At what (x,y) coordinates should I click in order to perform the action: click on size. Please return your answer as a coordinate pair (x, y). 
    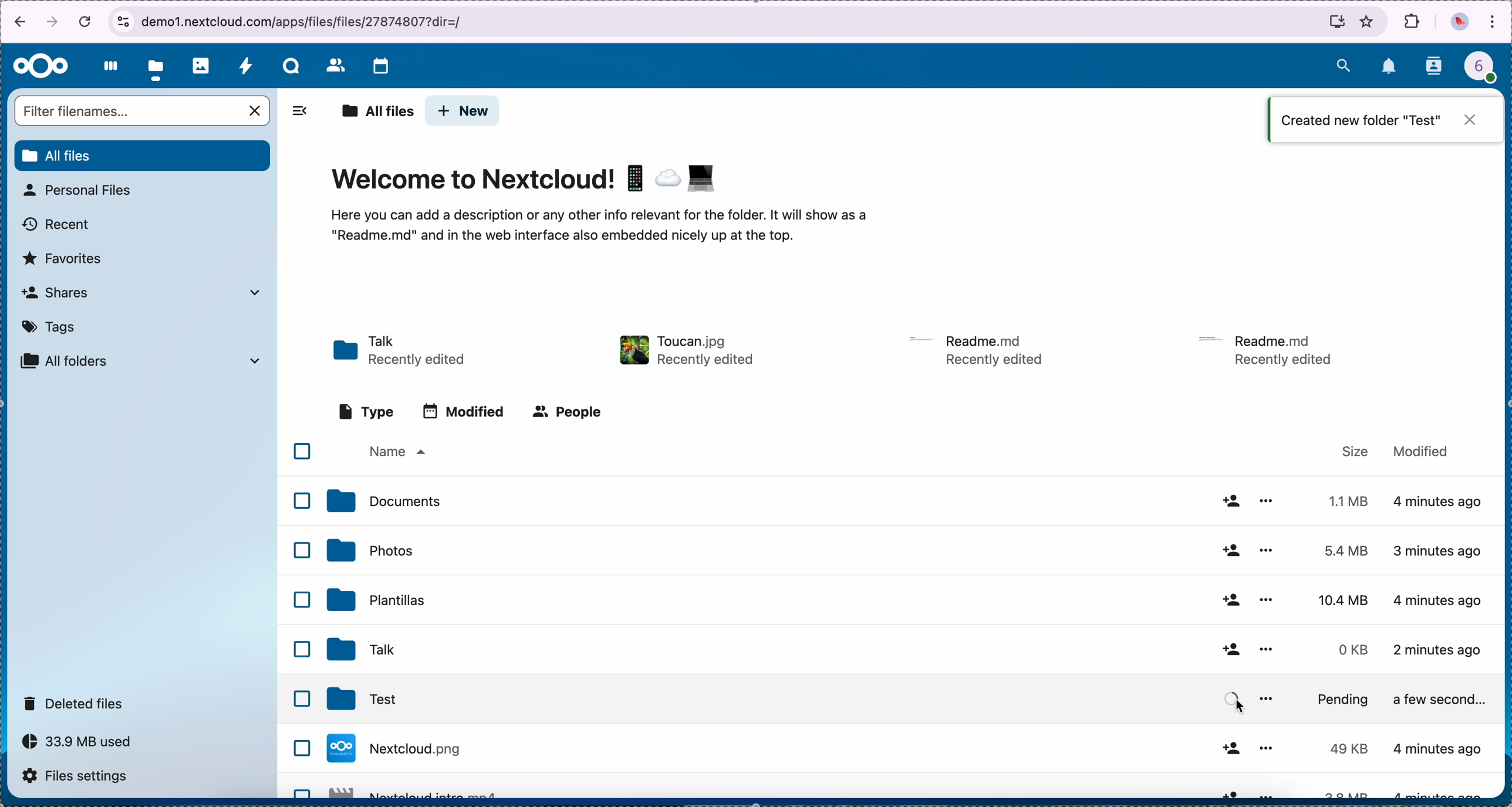
    Looking at the image, I should click on (1356, 451).